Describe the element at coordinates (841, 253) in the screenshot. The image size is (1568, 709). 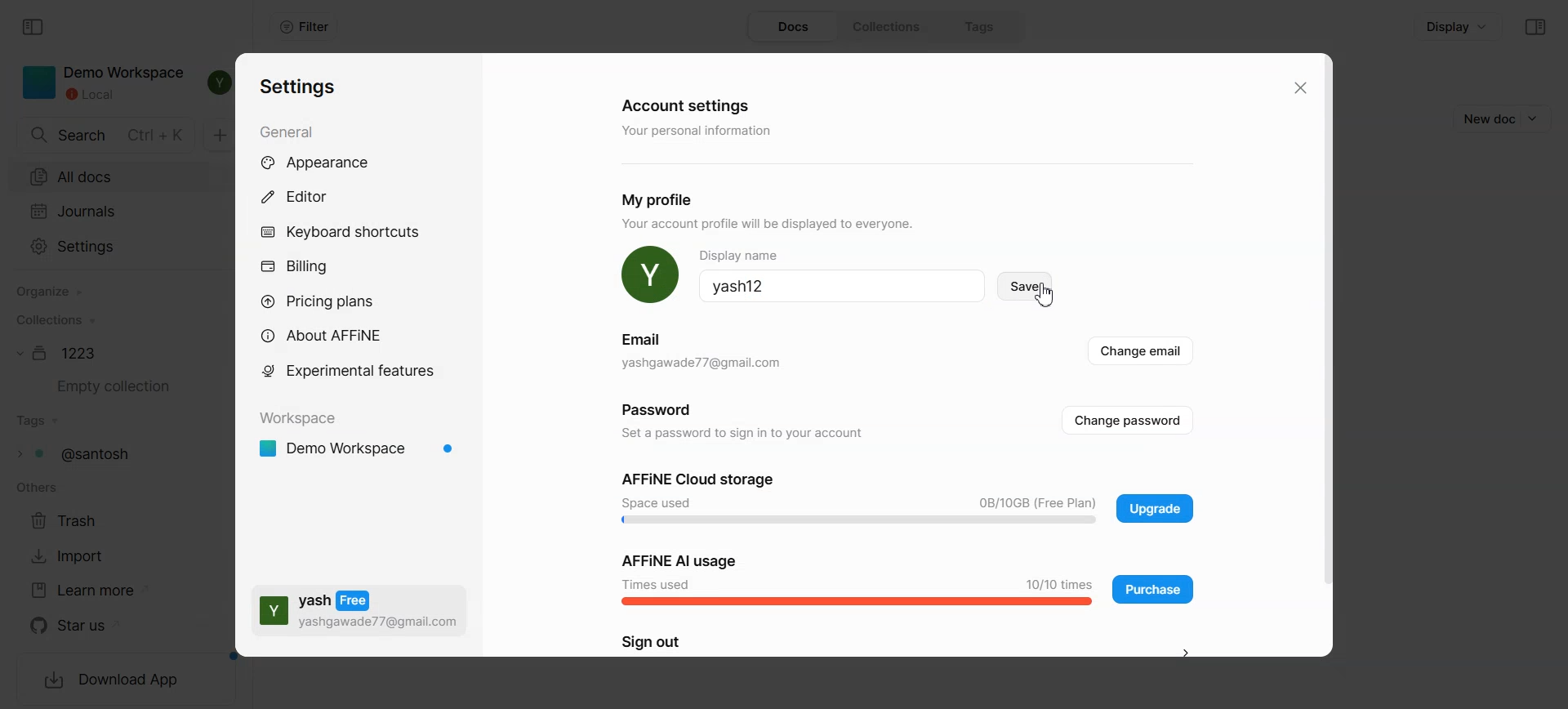
I see `Profile name` at that location.